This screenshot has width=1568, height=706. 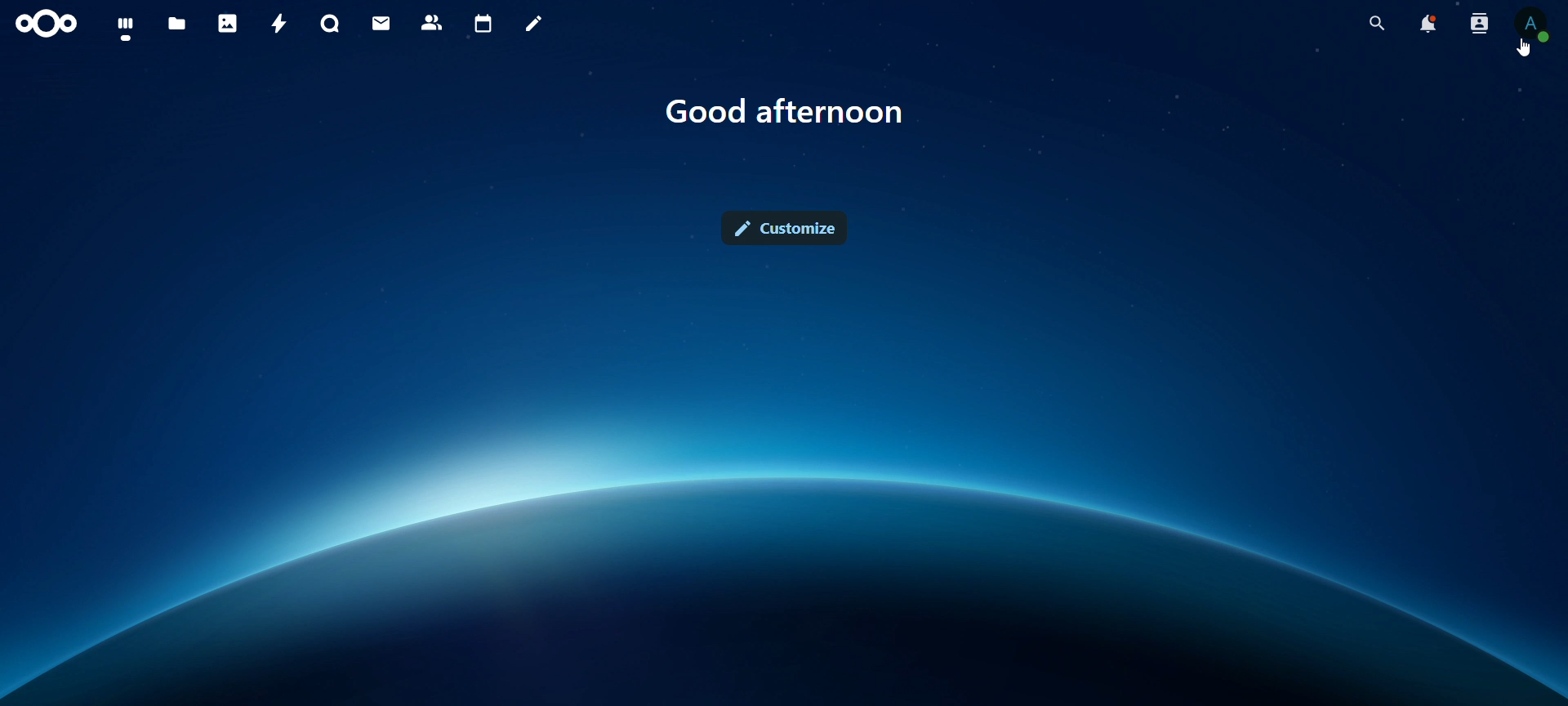 What do you see at coordinates (1478, 25) in the screenshot?
I see `search contacts` at bounding box center [1478, 25].